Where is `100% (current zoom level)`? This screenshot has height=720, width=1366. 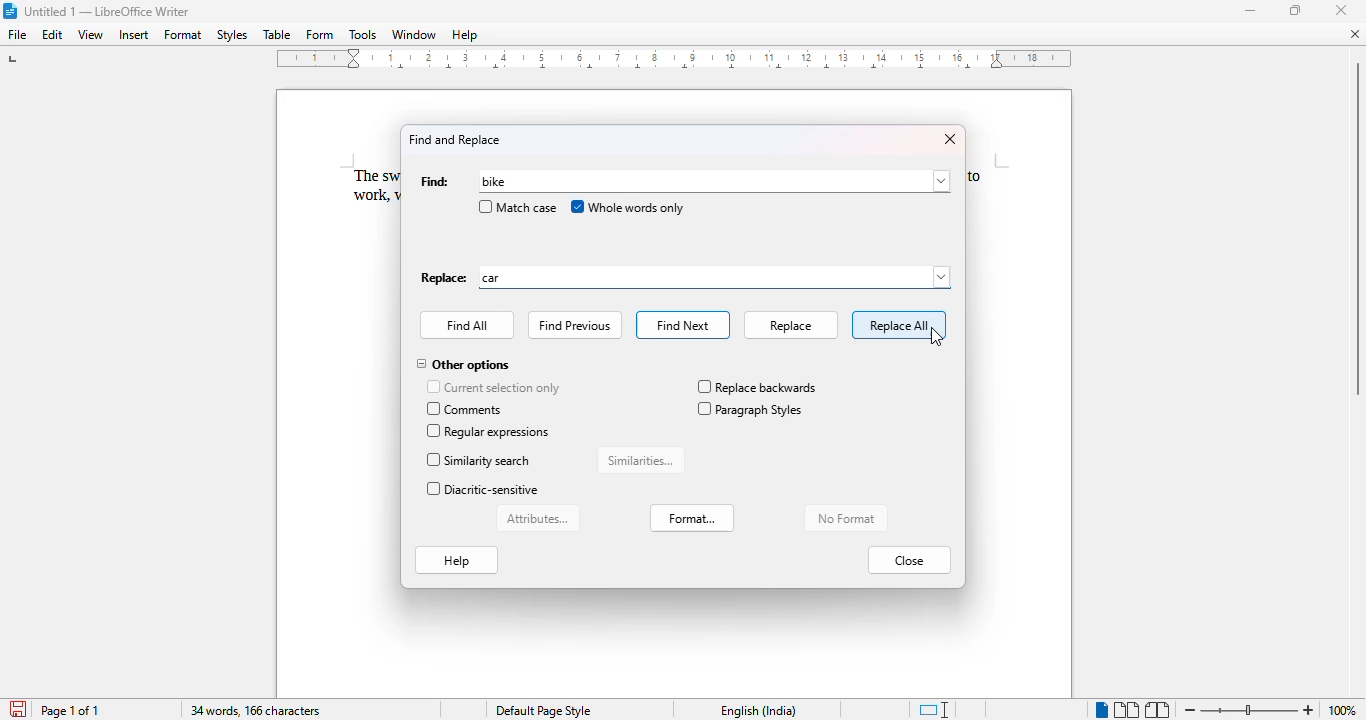 100% (current zoom level) is located at coordinates (1345, 710).